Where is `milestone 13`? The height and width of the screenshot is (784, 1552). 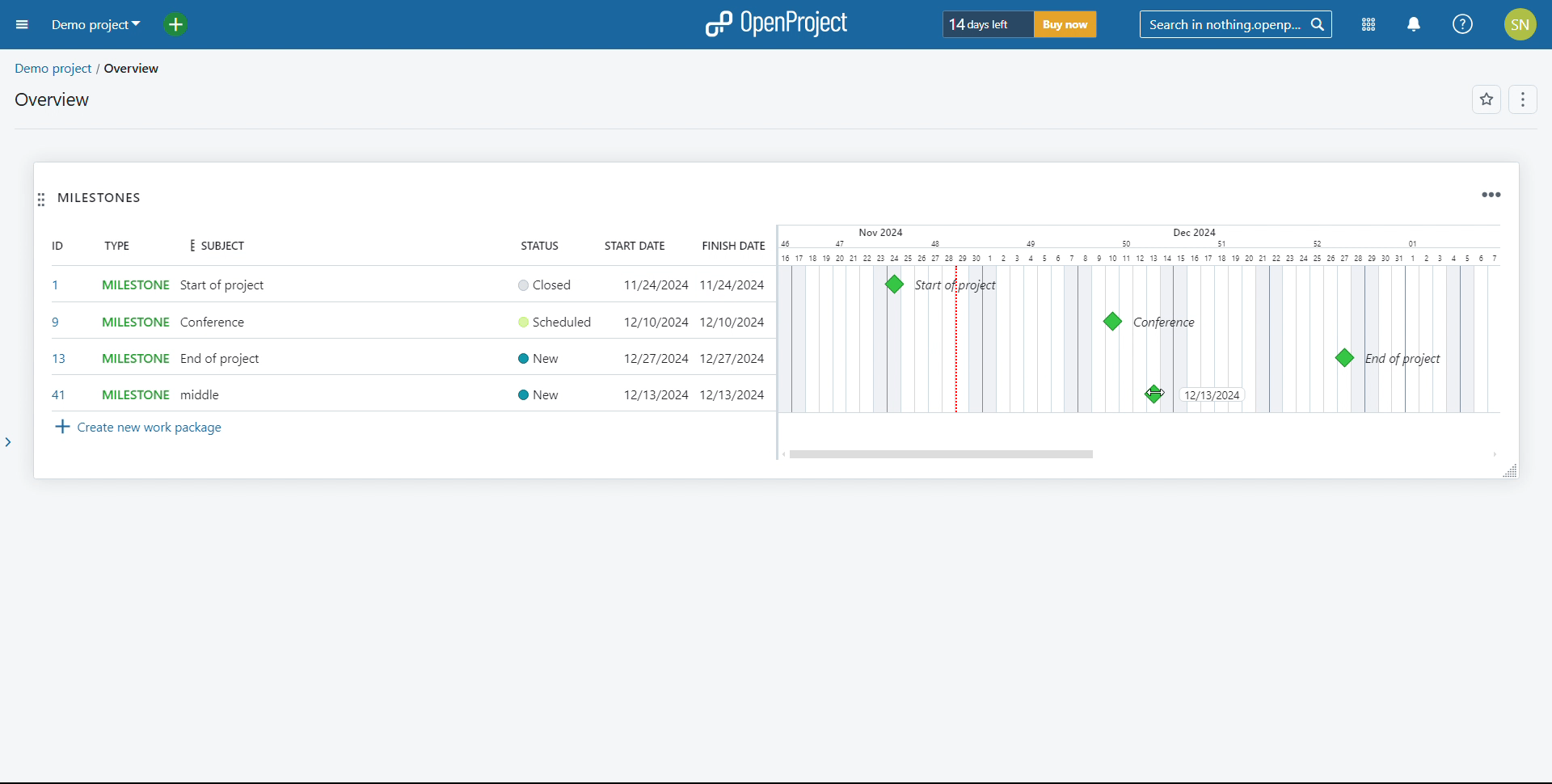
milestone 13 is located at coordinates (1343, 358).